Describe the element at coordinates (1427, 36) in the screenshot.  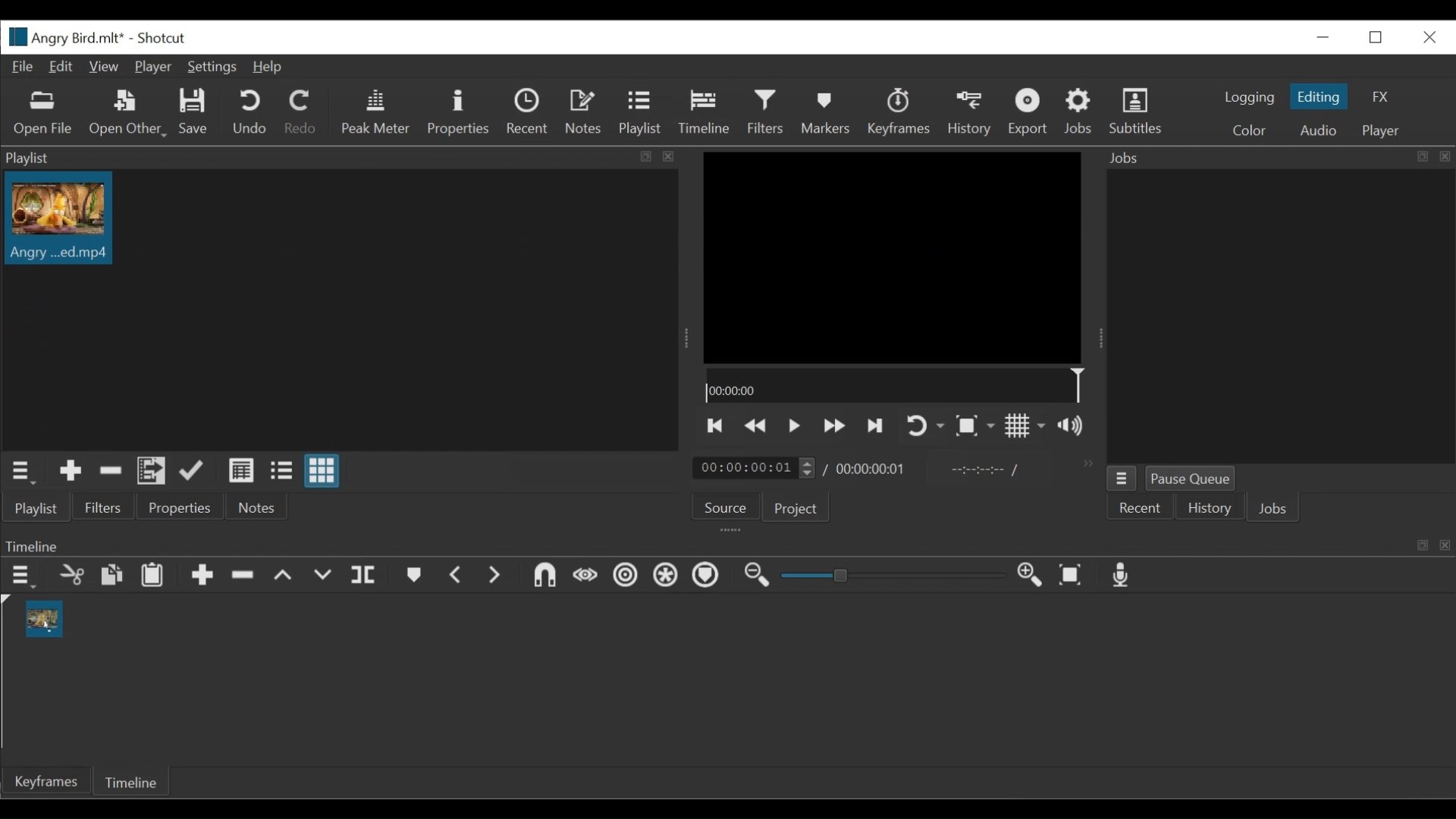
I see `Close` at that location.